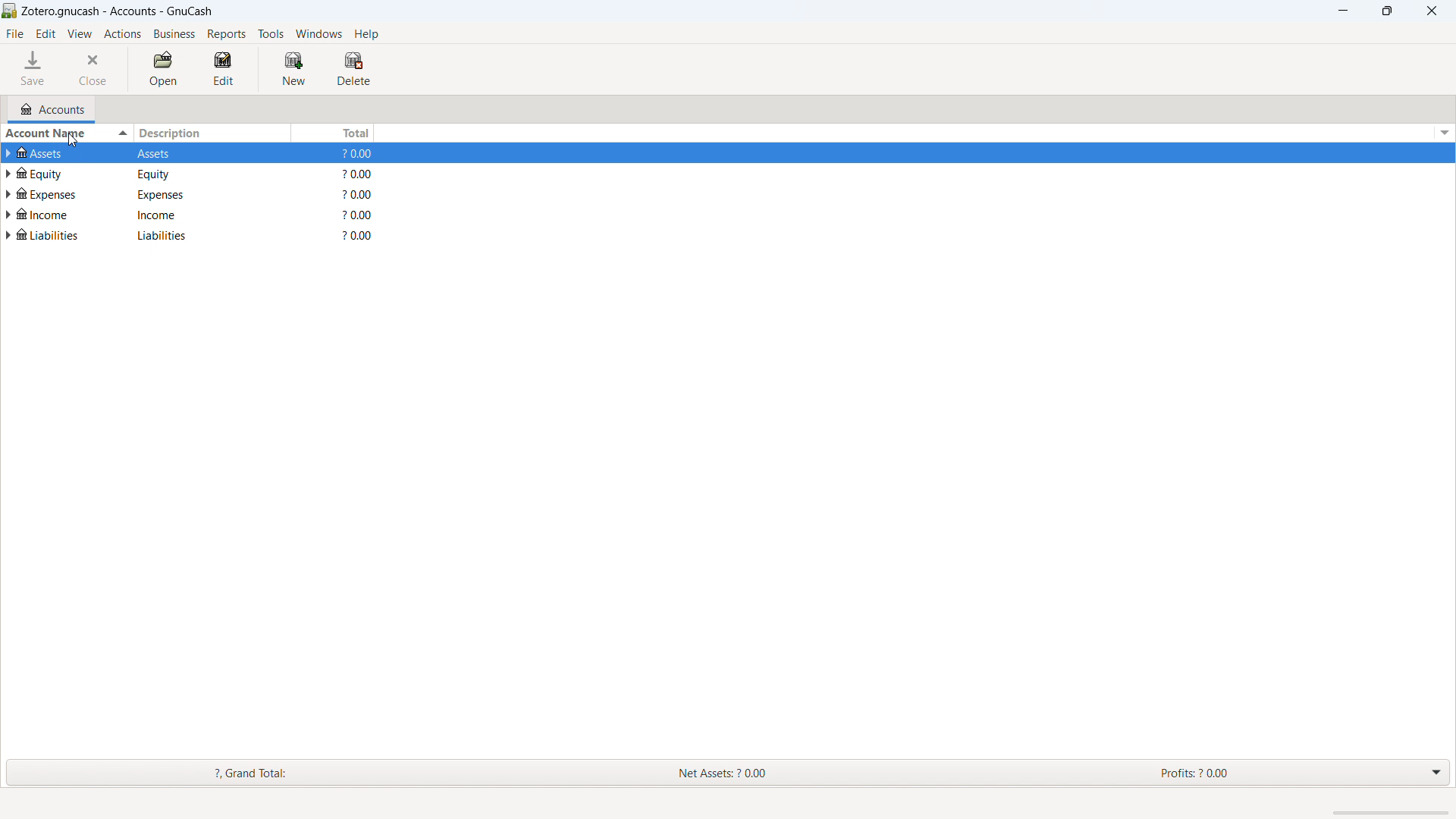 This screenshot has width=1456, height=819. What do you see at coordinates (354, 69) in the screenshot?
I see `delete` at bounding box center [354, 69].